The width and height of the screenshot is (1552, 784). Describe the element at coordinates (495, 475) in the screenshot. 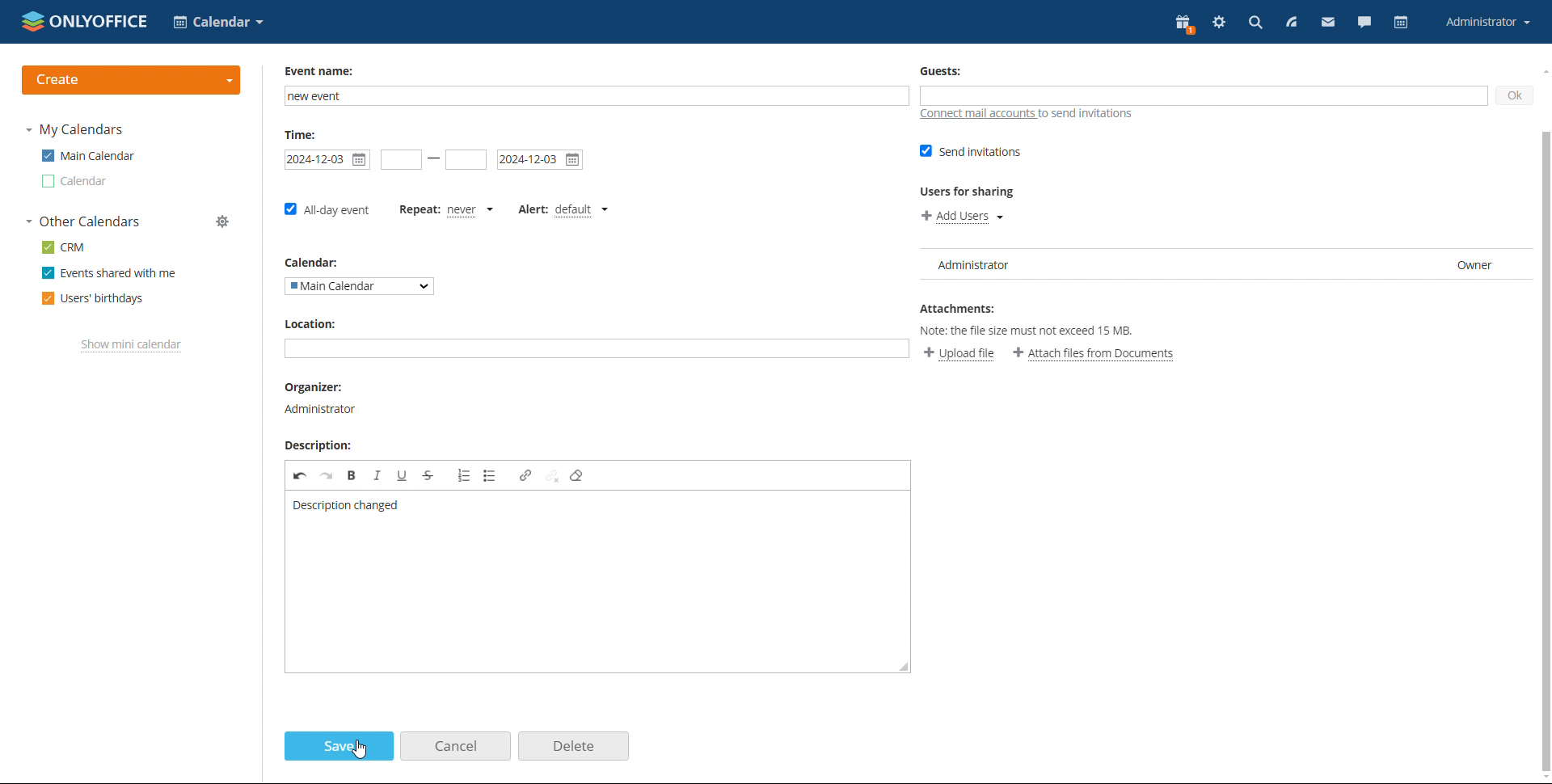

I see `insert/remove bulleted list` at that location.